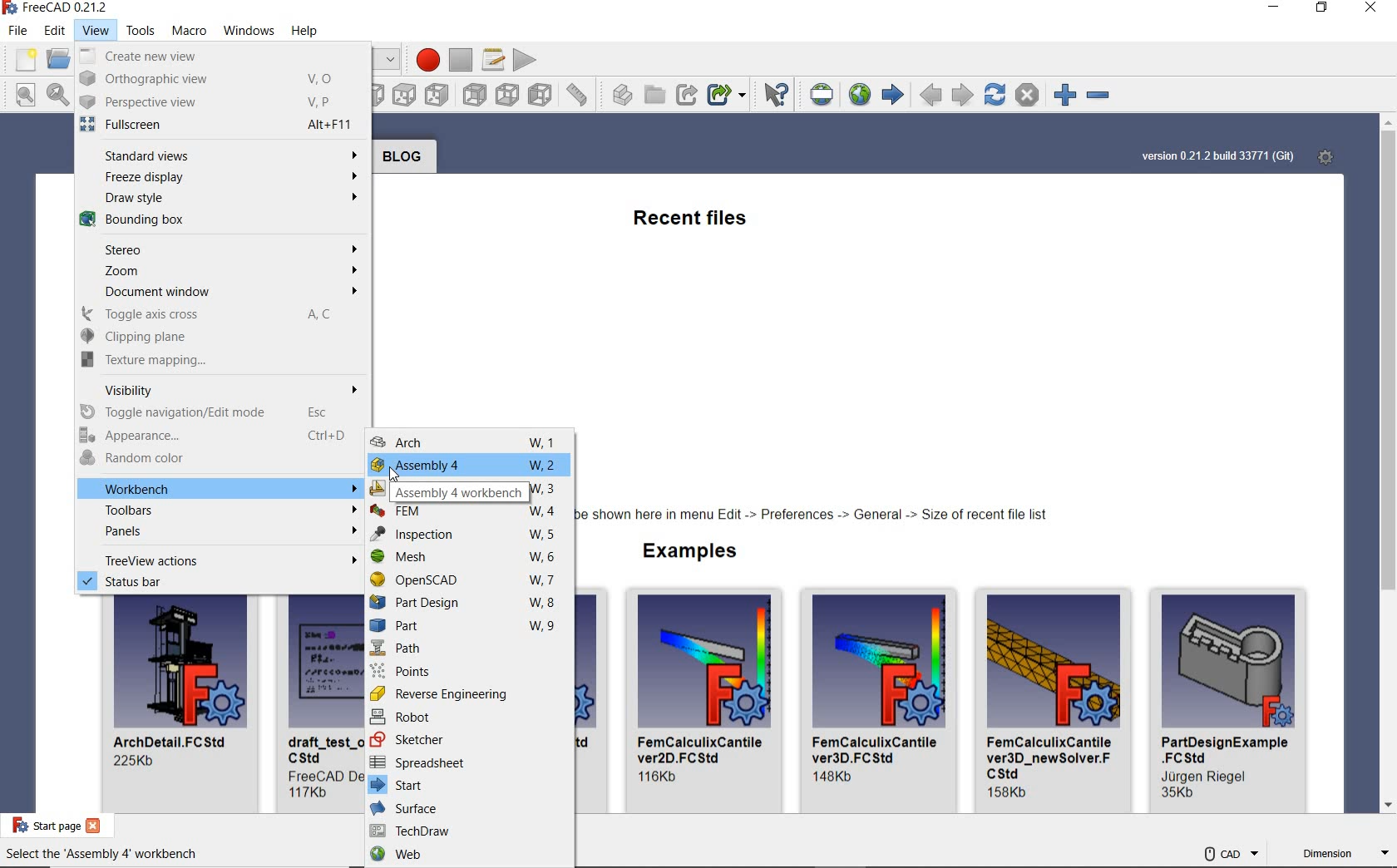 This screenshot has width=1397, height=868. Describe the element at coordinates (221, 272) in the screenshot. I see `zoom` at that location.